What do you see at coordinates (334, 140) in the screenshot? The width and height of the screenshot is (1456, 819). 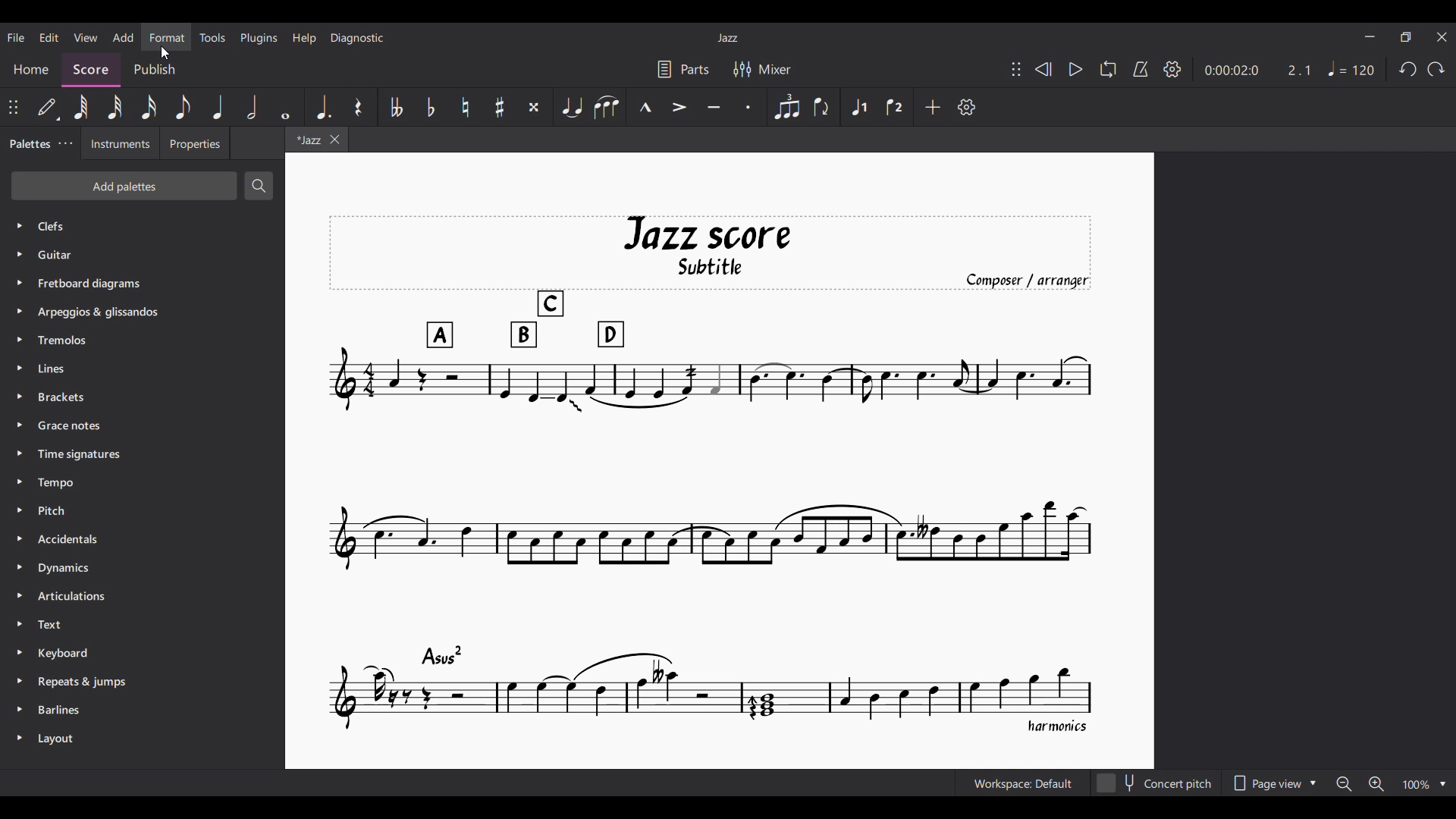 I see `Close tab` at bounding box center [334, 140].